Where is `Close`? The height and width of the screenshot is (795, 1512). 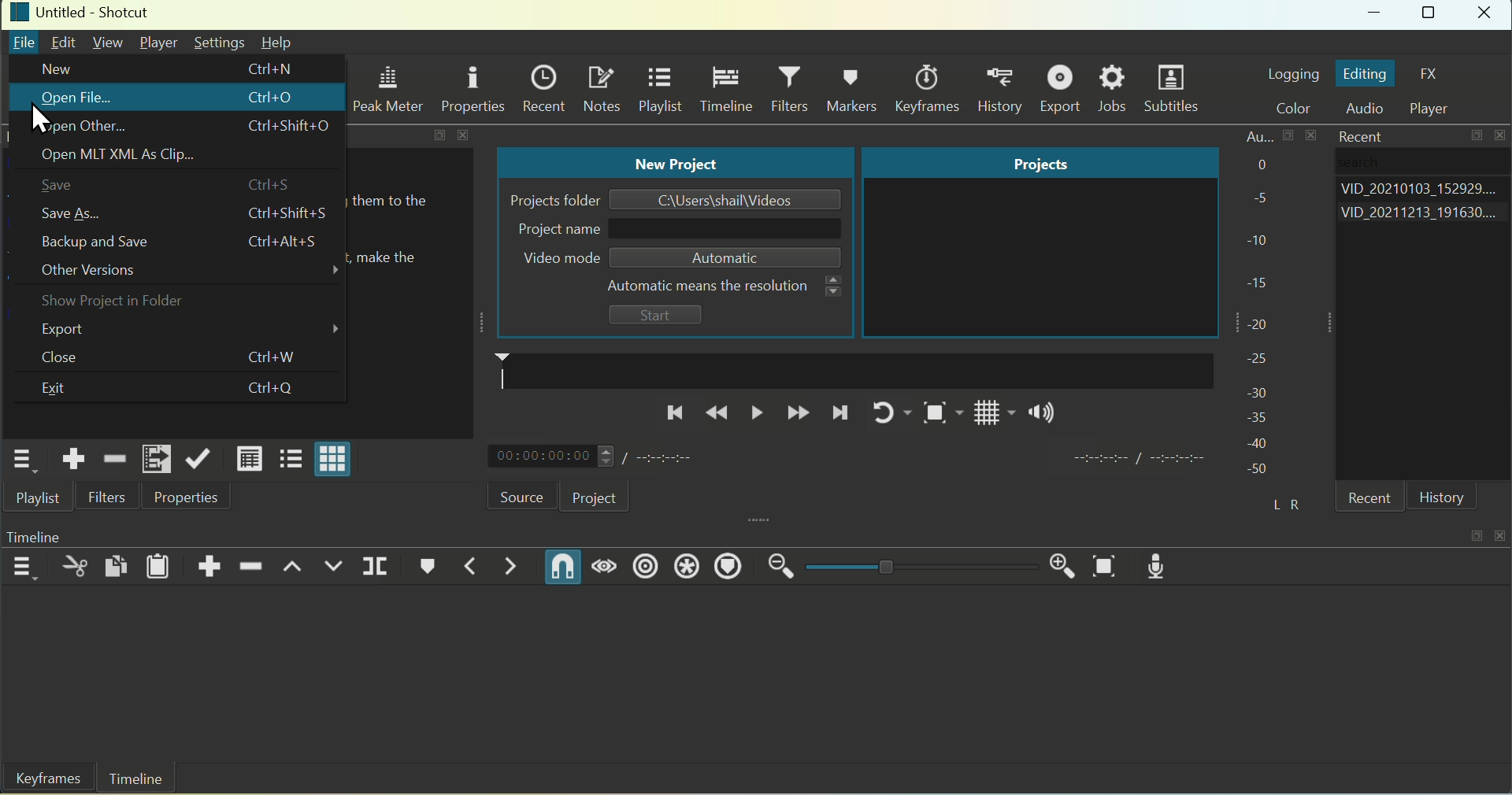
Close is located at coordinates (74, 357).